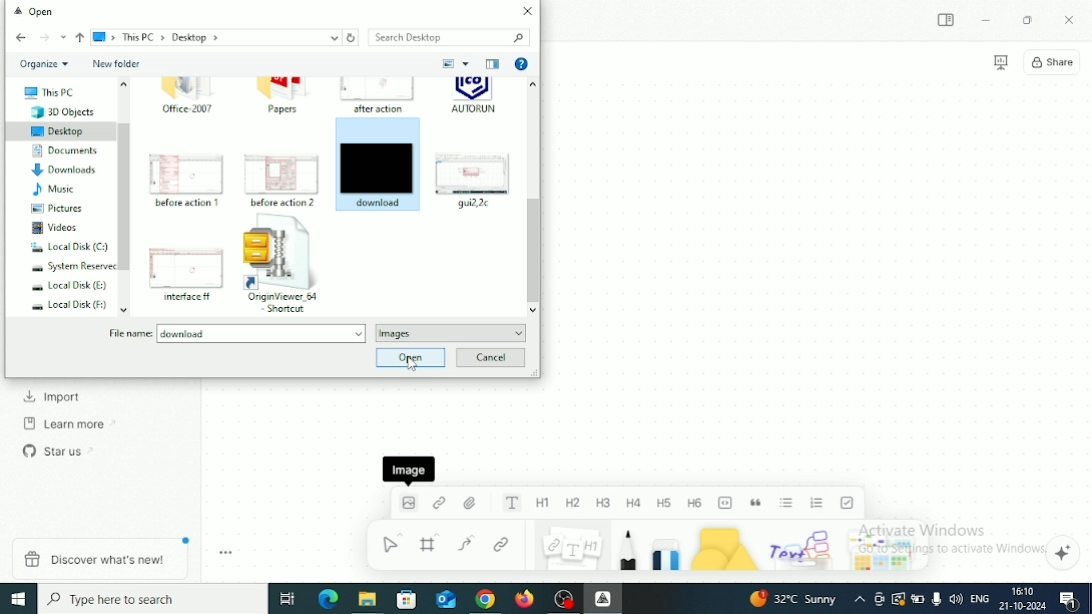 Image resolution: width=1092 pixels, height=614 pixels. Describe the element at coordinates (502, 546) in the screenshot. I see `Link` at that location.